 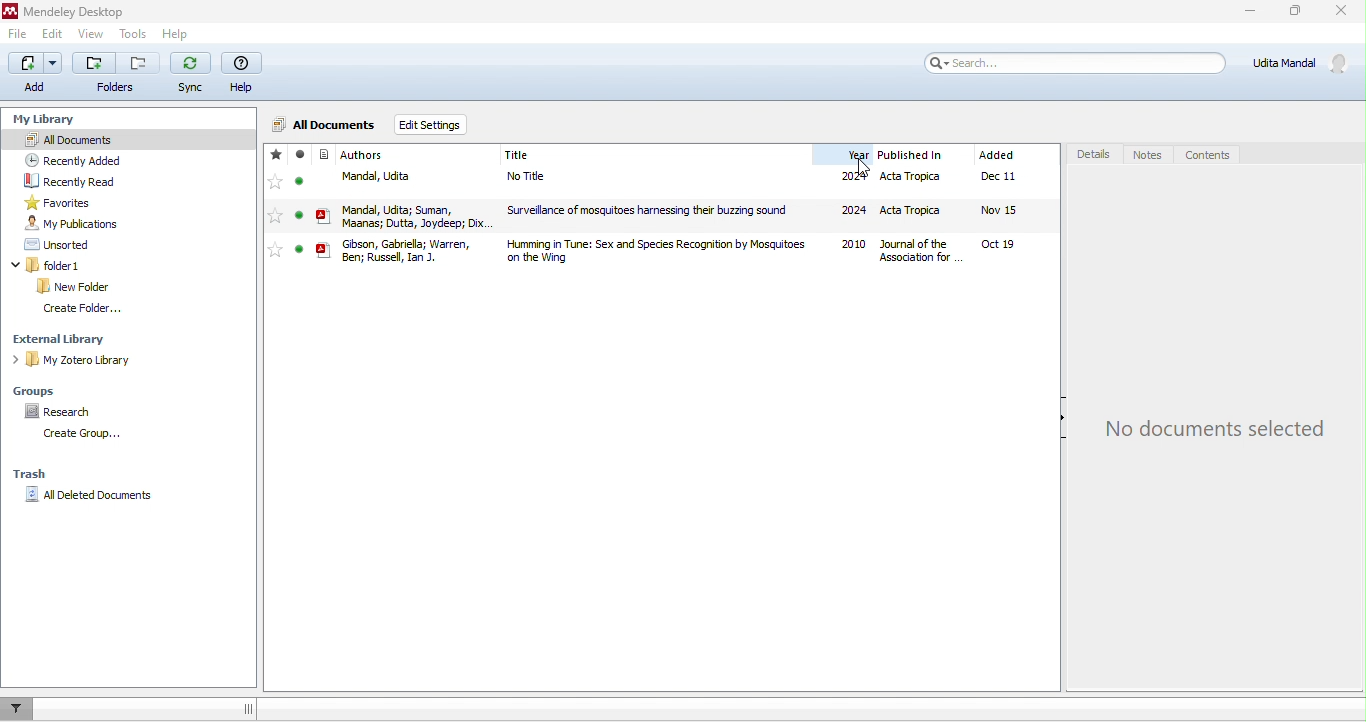 What do you see at coordinates (67, 158) in the screenshot?
I see `recently added` at bounding box center [67, 158].